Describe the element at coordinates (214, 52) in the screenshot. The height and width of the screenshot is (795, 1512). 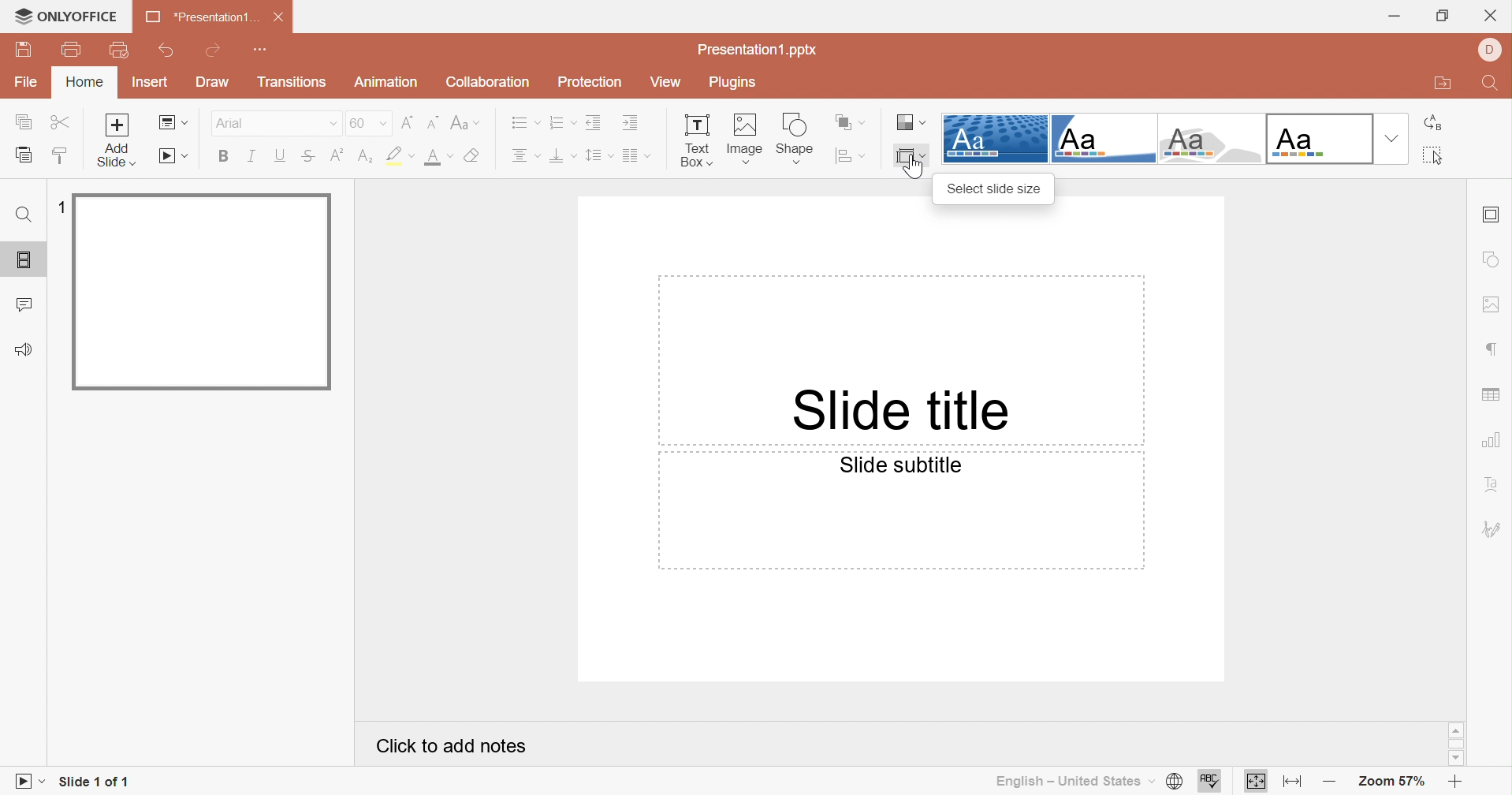
I see `Redo` at that location.